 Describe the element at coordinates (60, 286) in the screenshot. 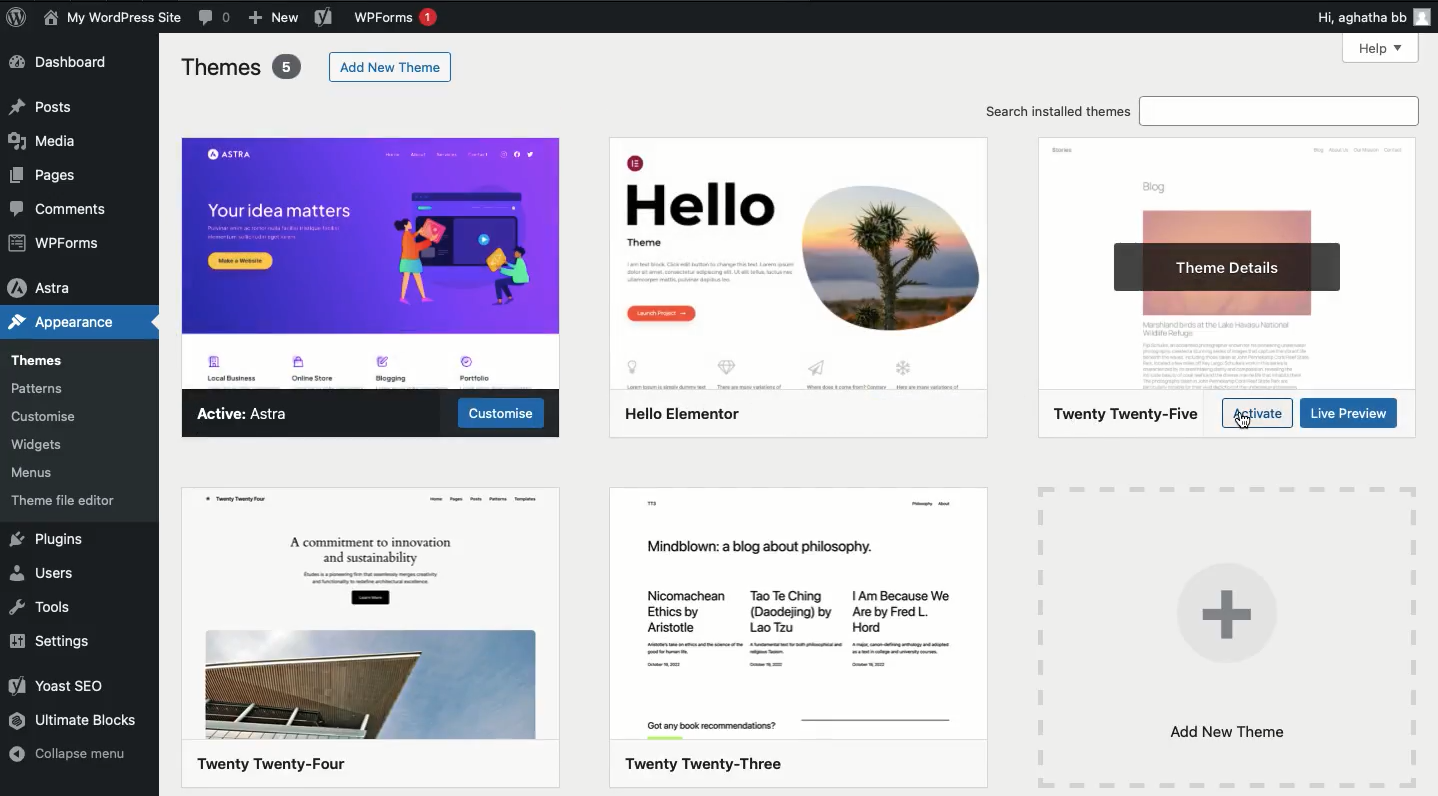

I see `Astra` at that location.